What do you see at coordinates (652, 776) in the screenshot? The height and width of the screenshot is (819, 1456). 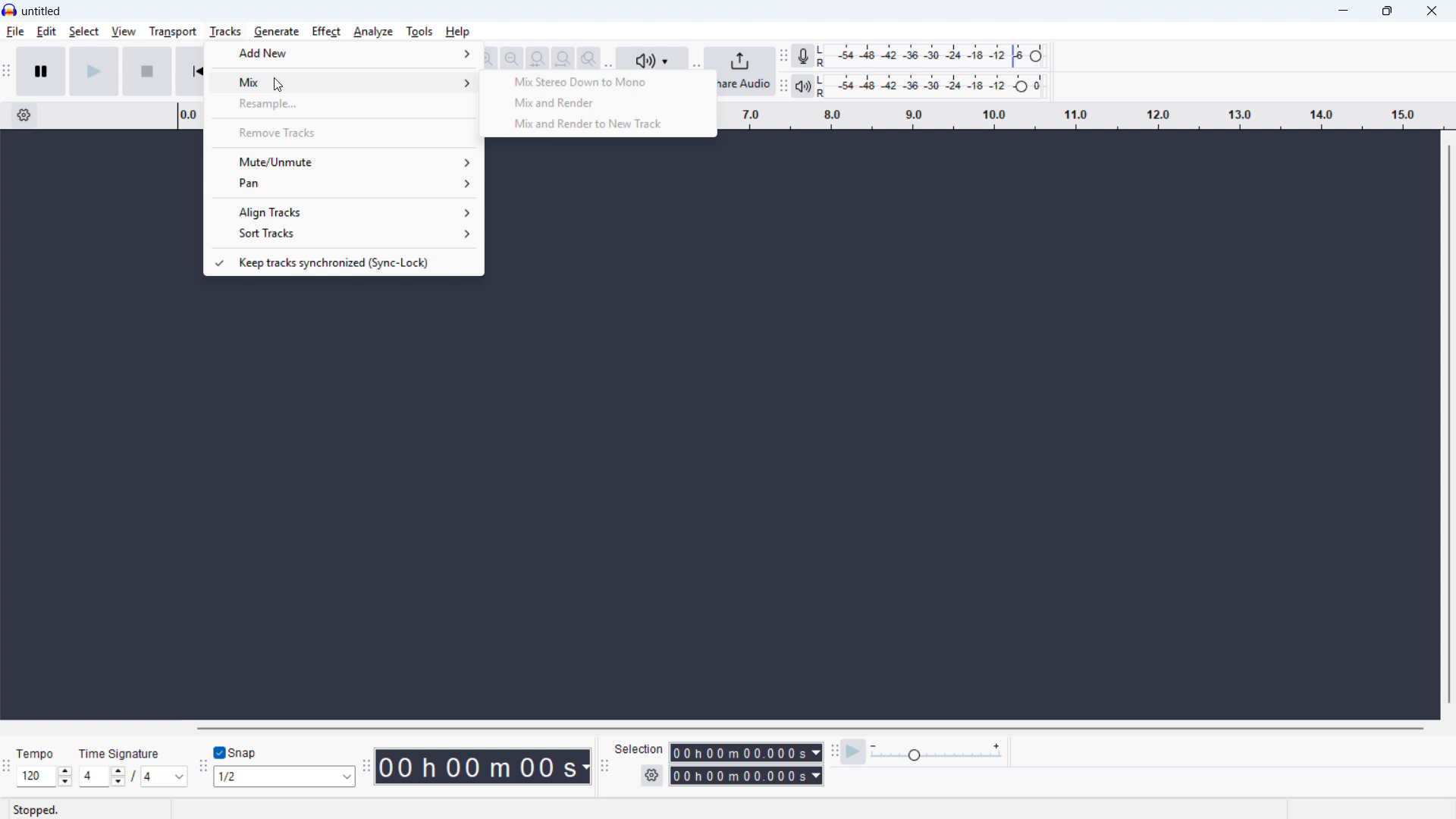 I see `Selection settings ` at bounding box center [652, 776].